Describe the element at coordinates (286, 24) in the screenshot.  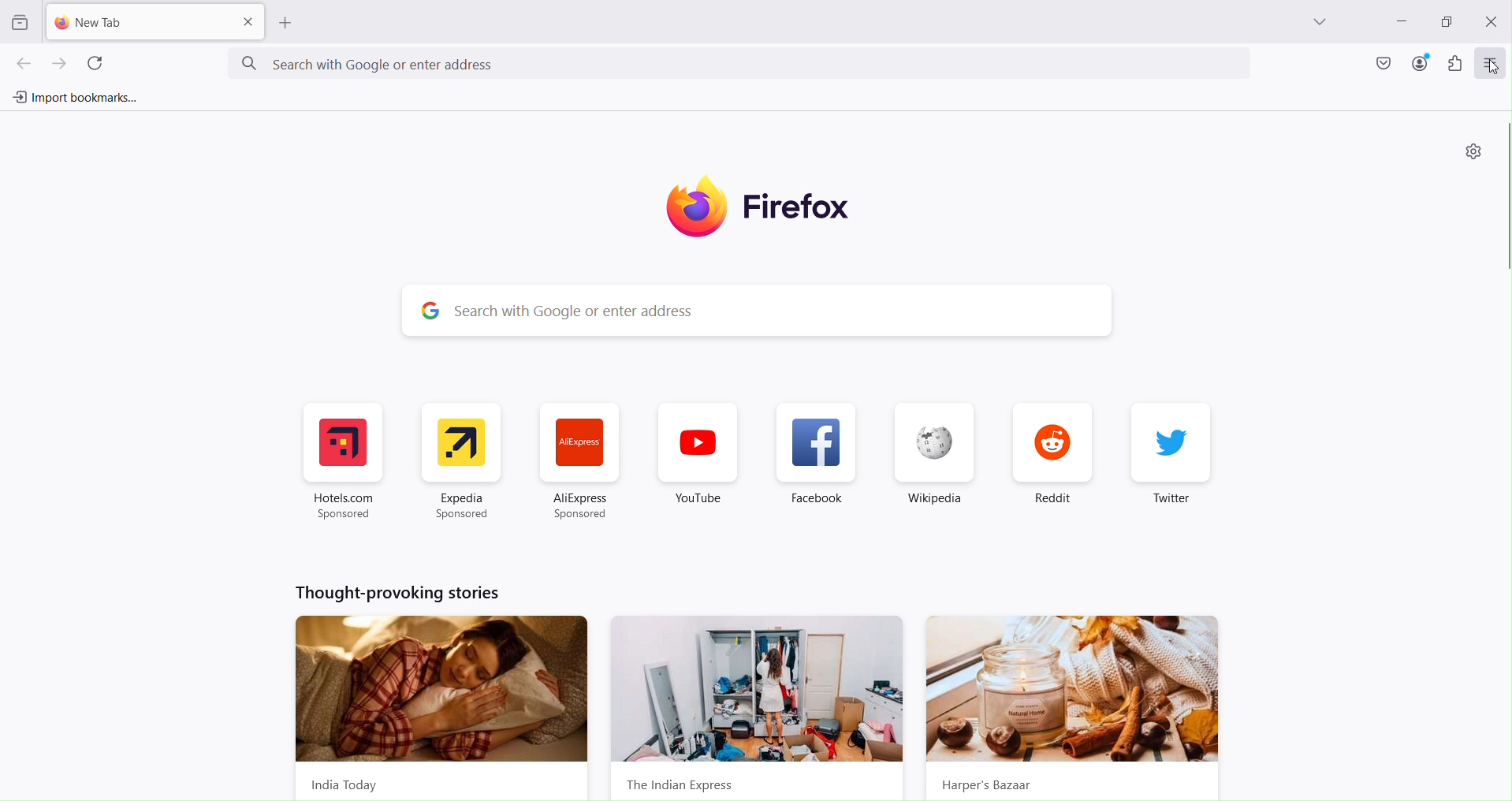
I see `Add new tab` at that location.